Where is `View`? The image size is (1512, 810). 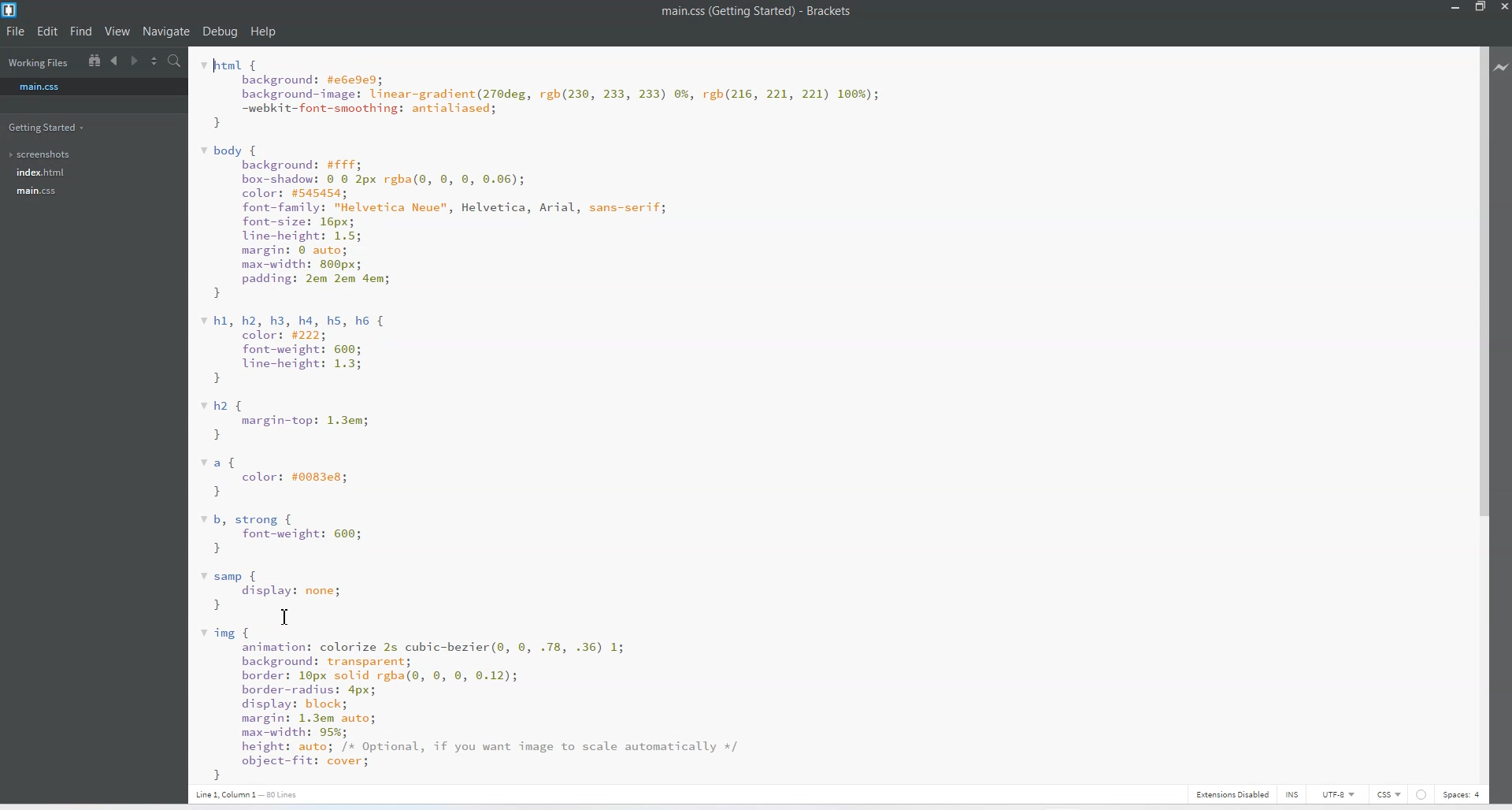 View is located at coordinates (118, 32).